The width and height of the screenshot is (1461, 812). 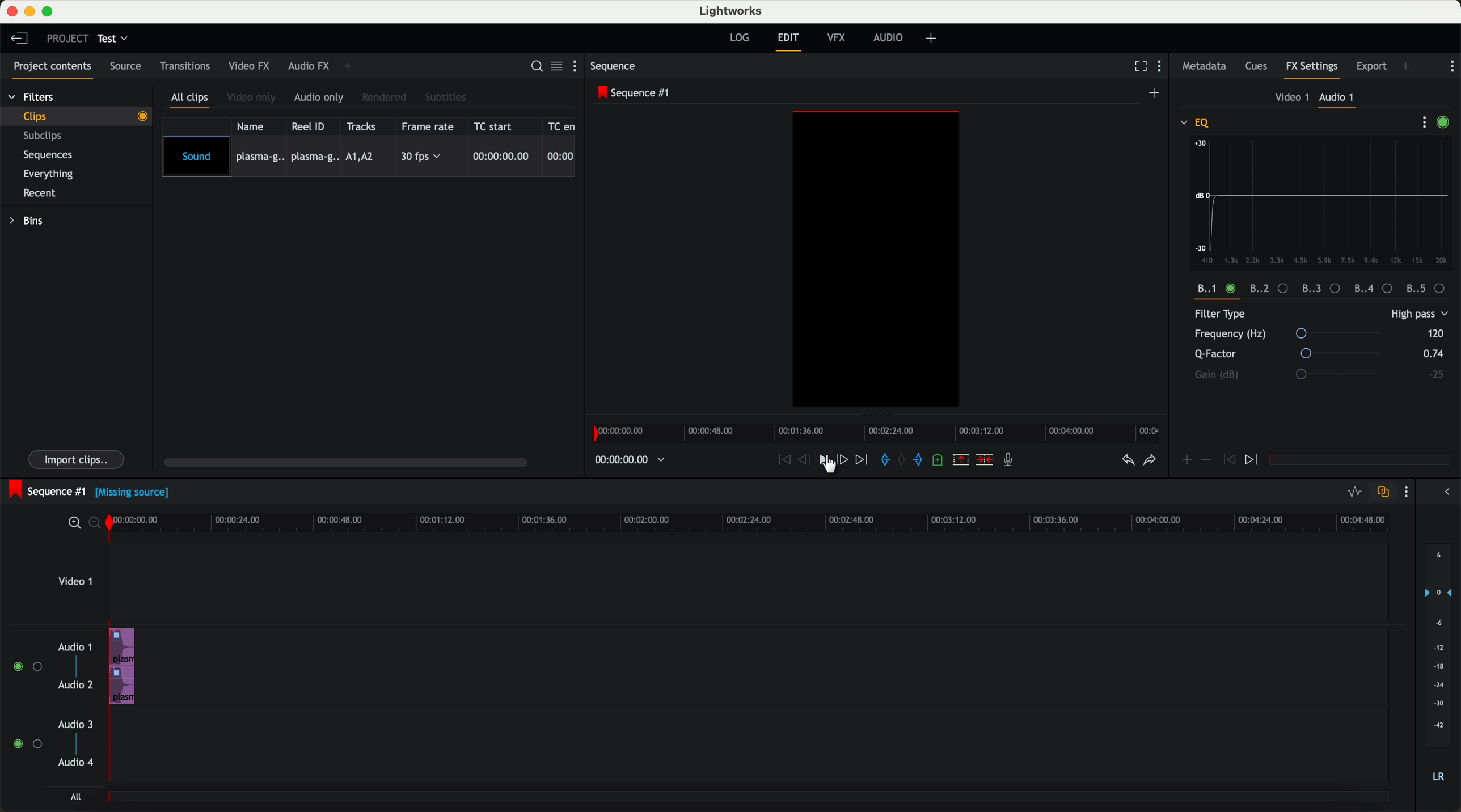 I want to click on recent, so click(x=38, y=192).